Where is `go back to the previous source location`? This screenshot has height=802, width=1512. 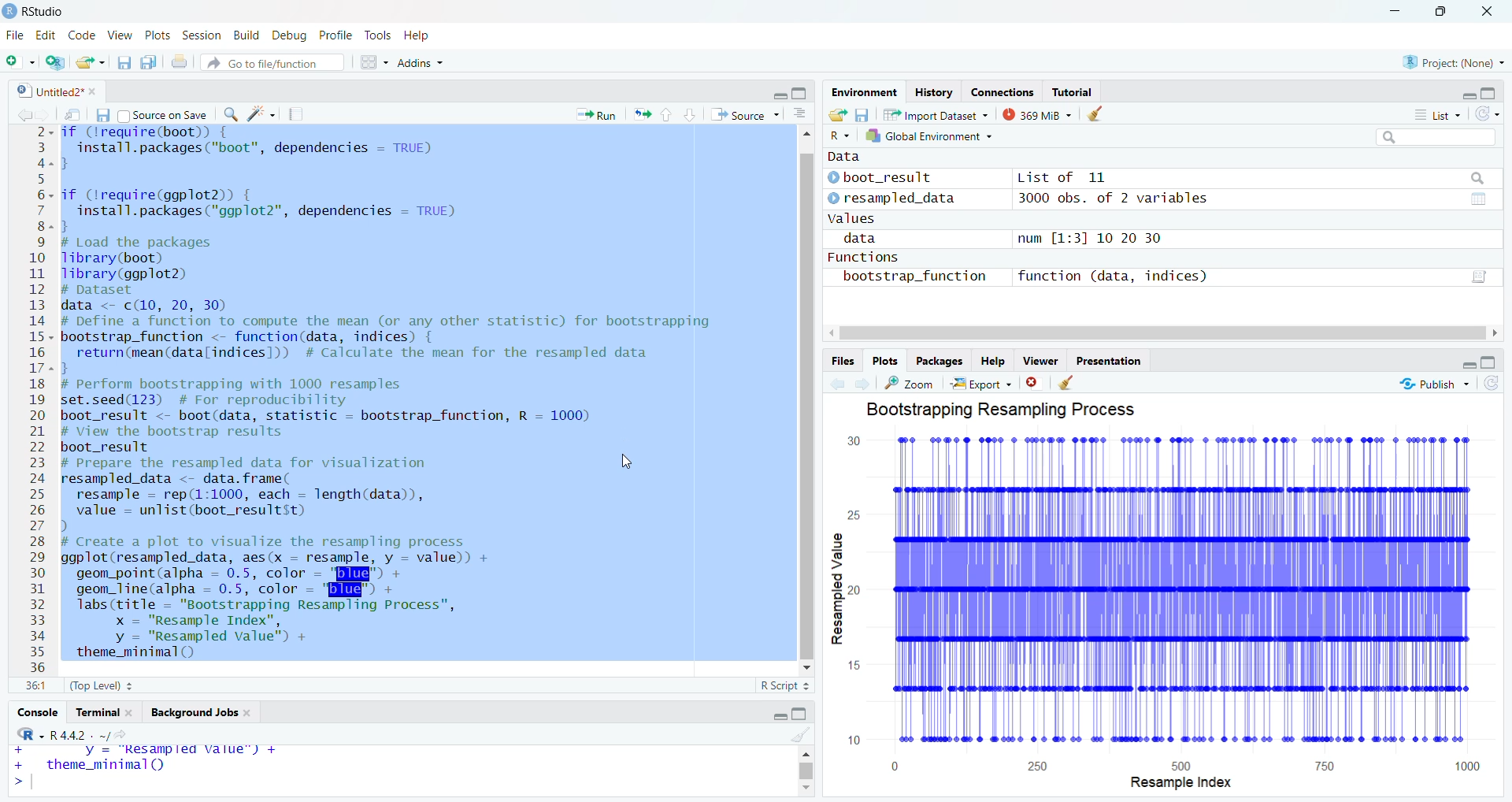 go back to the previous source location is located at coordinates (20, 114).